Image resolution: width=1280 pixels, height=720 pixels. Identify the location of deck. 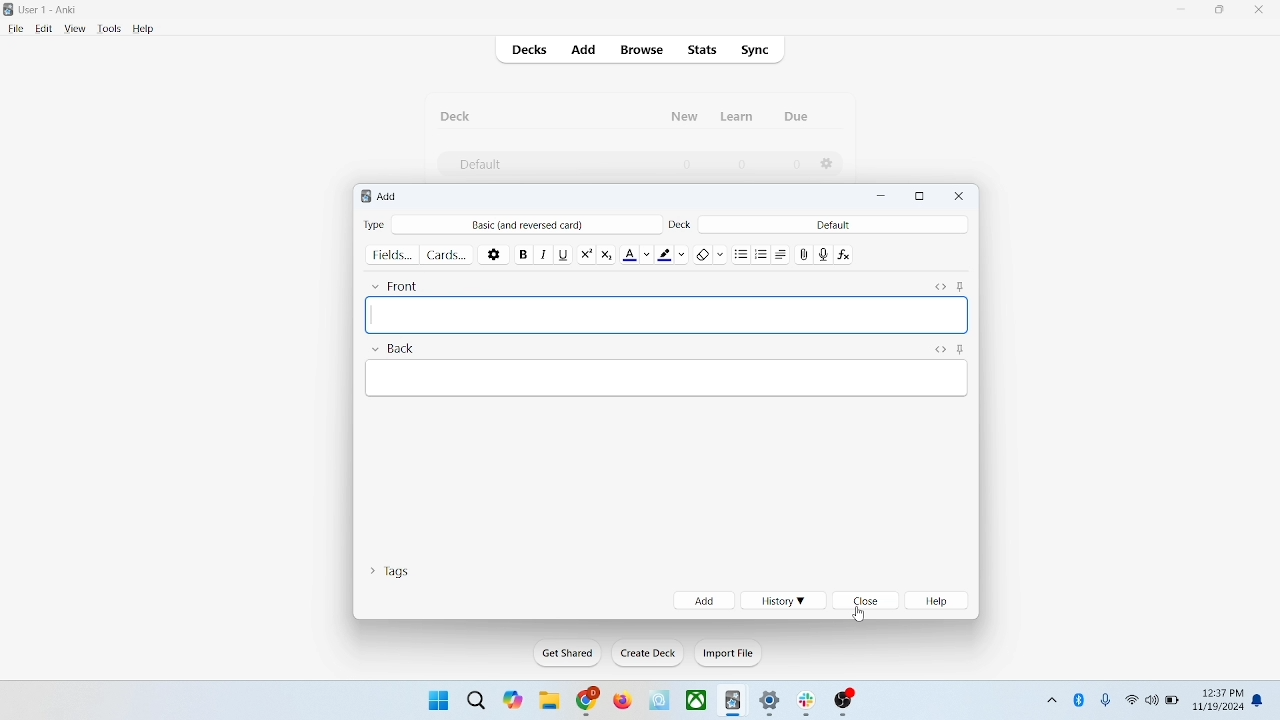
(458, 116).